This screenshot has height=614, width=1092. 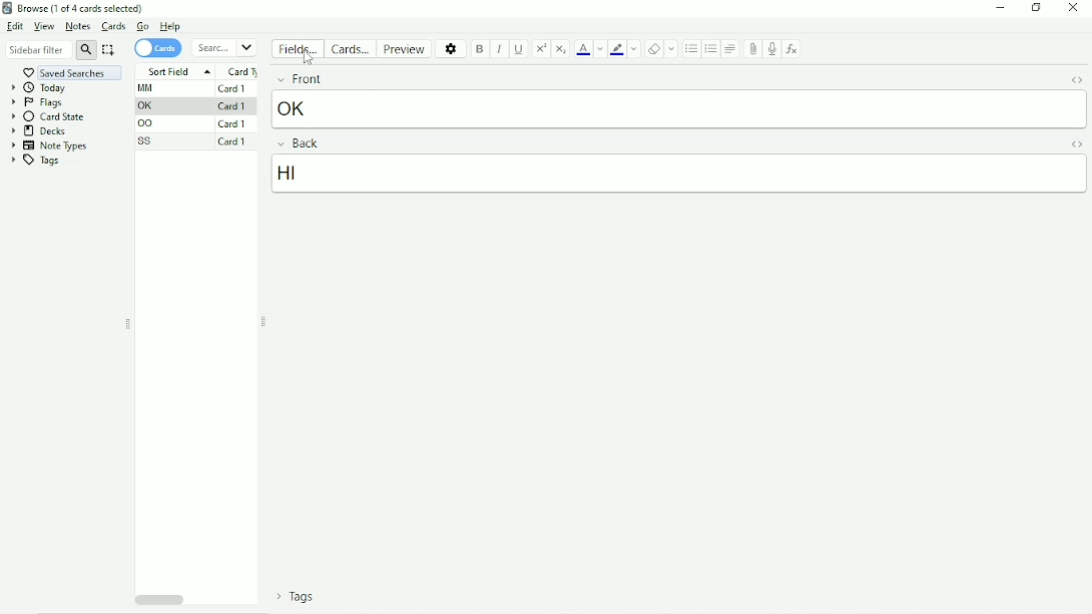 What do you see at coordinates (39, 131) in the screenshot?
I see `Decks` at bounding box center [39, 131].